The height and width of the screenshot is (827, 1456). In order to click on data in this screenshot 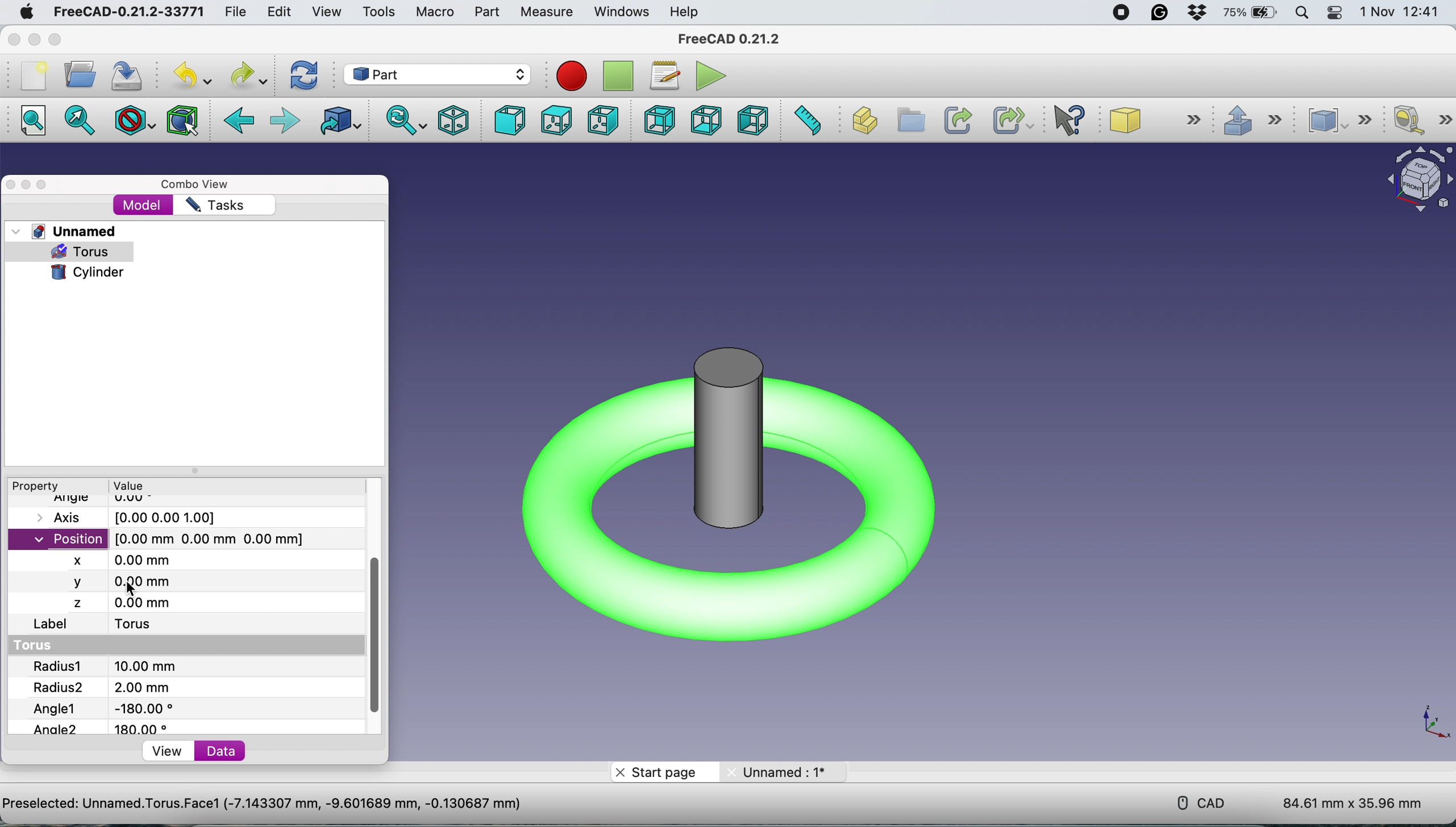, I will do `click(224, 751)`.